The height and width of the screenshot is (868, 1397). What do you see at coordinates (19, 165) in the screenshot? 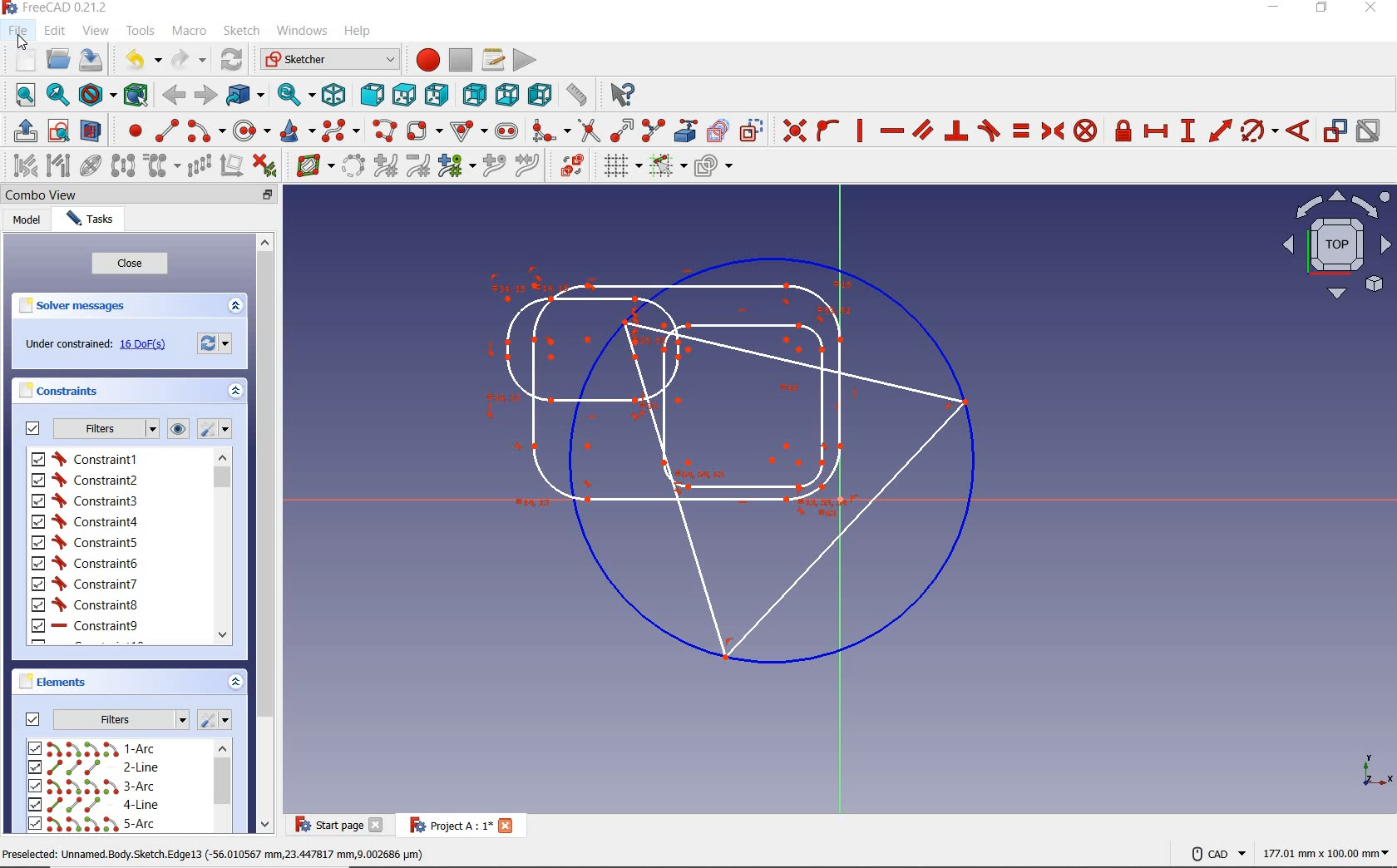
I see `select associated constraints` at bounding box center [19, 165].